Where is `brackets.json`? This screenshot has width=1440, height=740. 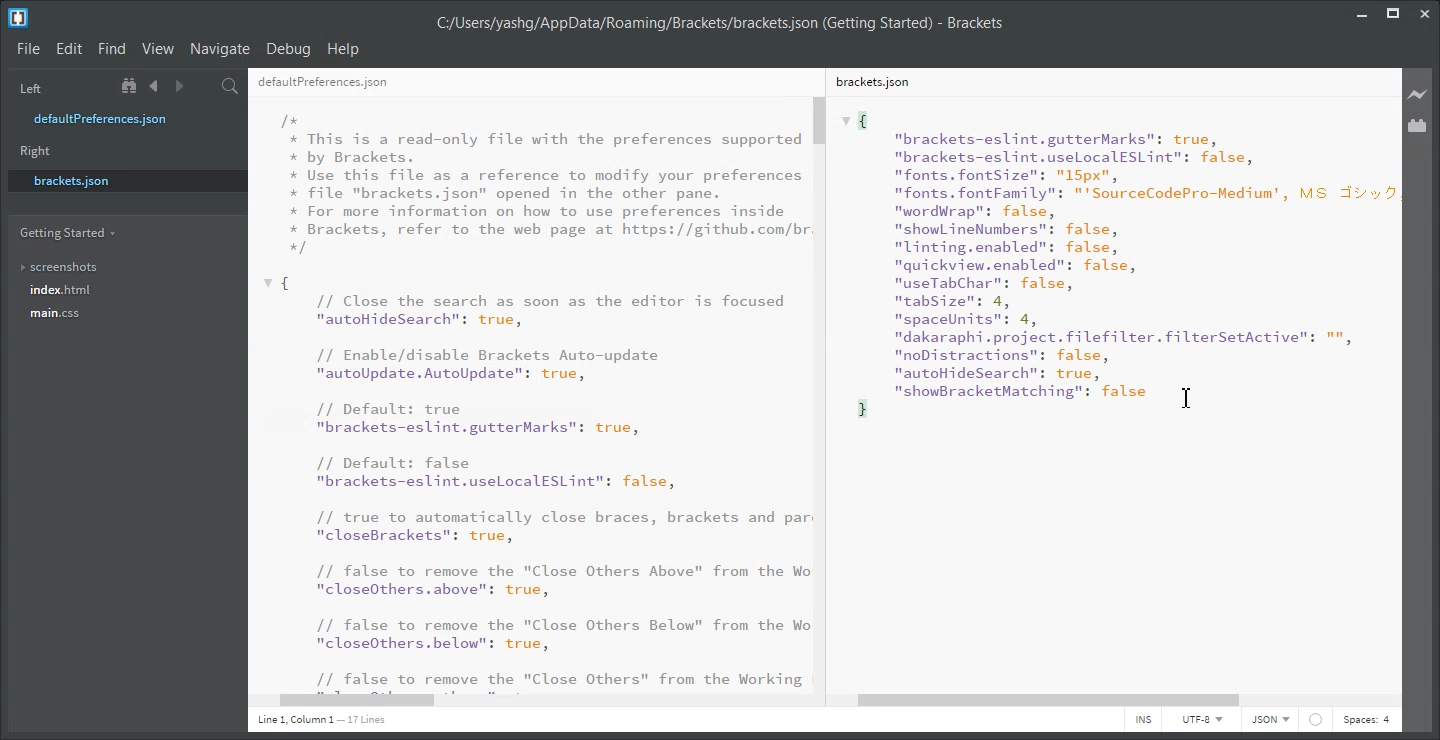 brackets.json is located at coordinates (871, 81).